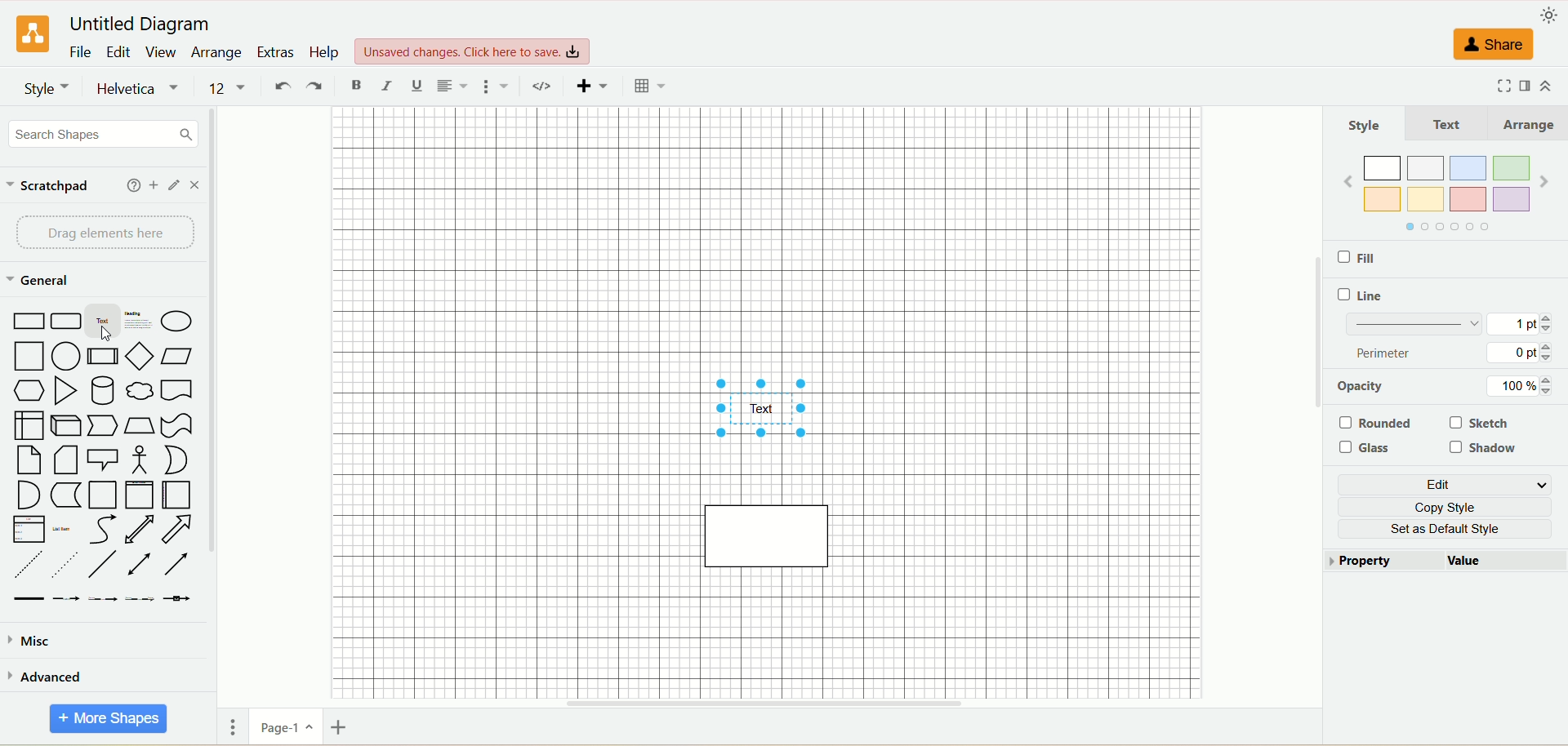  What do you see at coordinates (275, 51) in the screenshot?
I see `extras` at bounding box center [275, 51].